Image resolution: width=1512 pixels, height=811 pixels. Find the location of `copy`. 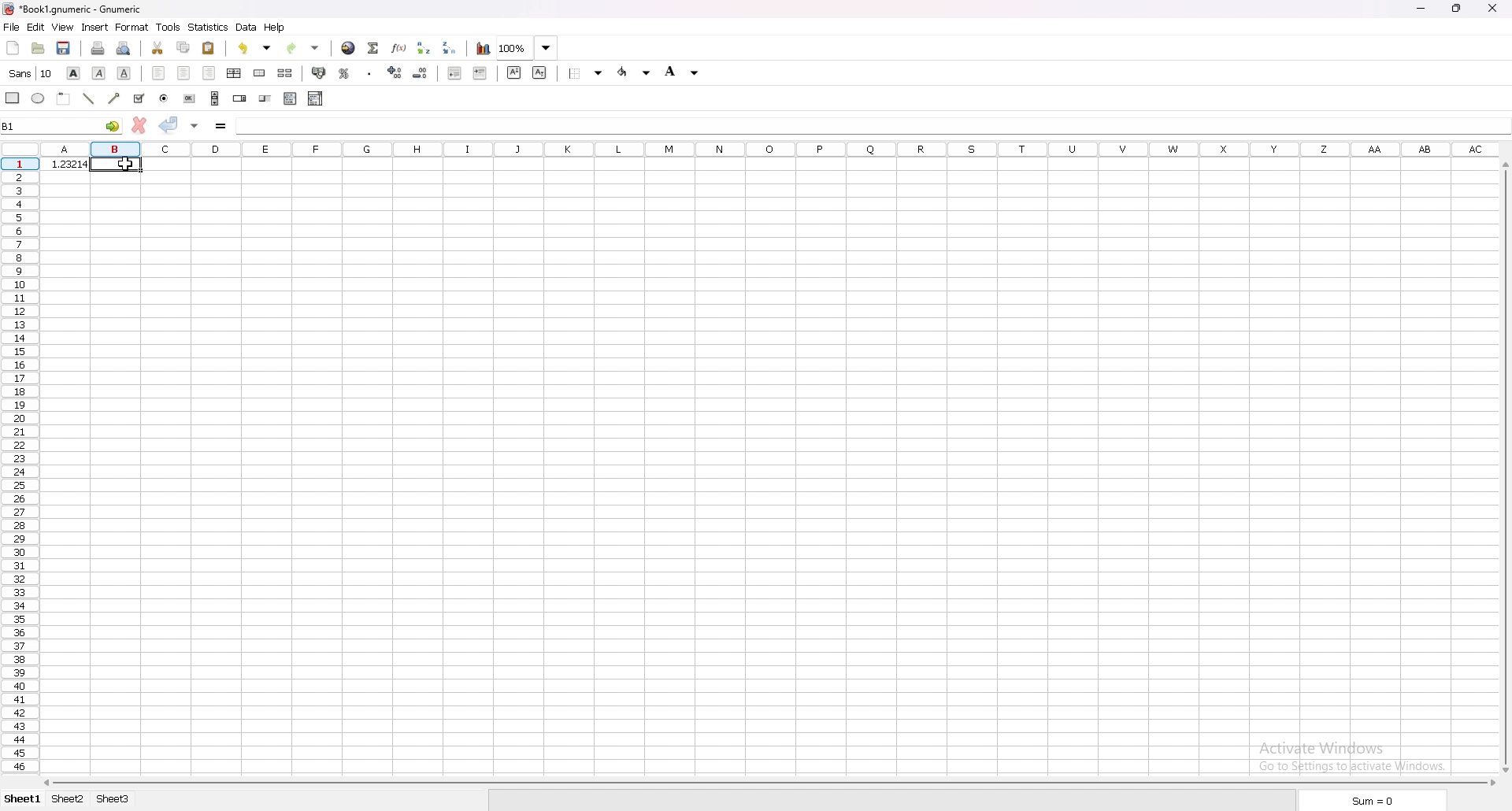

copy is located at coordinates (183, 47).